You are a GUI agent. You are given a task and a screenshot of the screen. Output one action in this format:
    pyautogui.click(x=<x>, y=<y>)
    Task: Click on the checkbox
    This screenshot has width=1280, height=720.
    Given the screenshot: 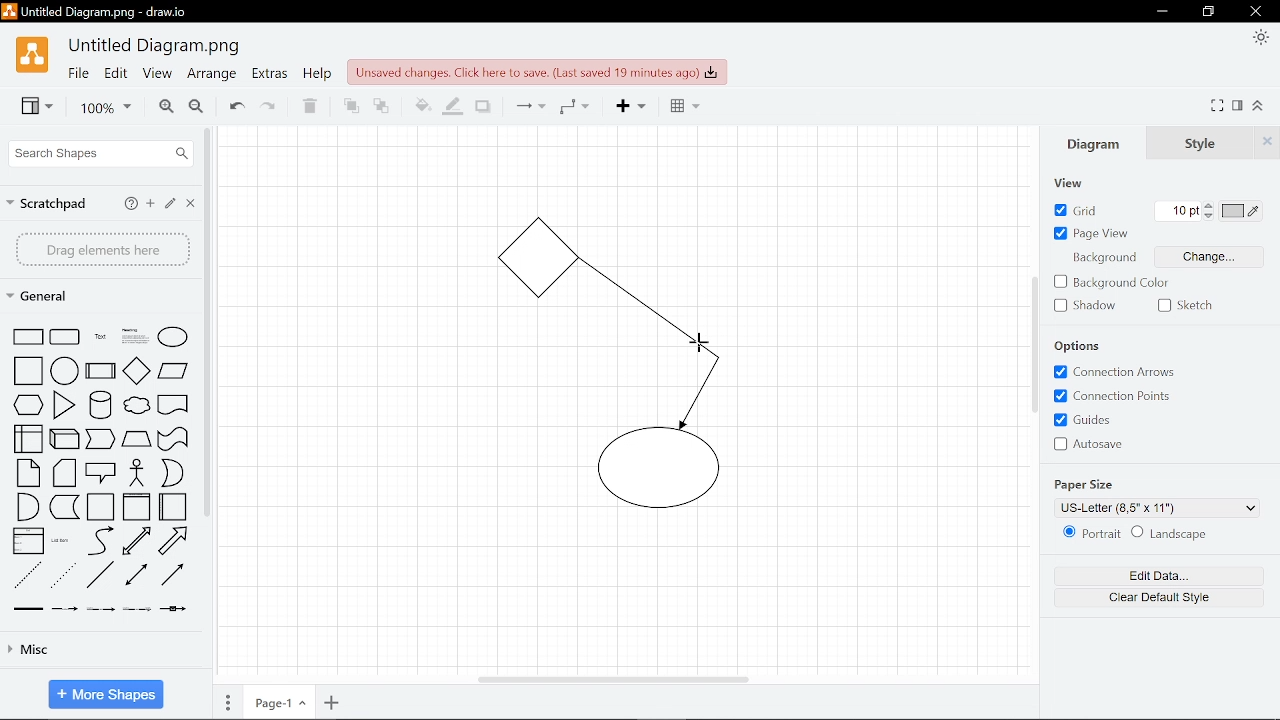 What is the action you would take?
    pyautogui.click(x=1059, y=234)
    